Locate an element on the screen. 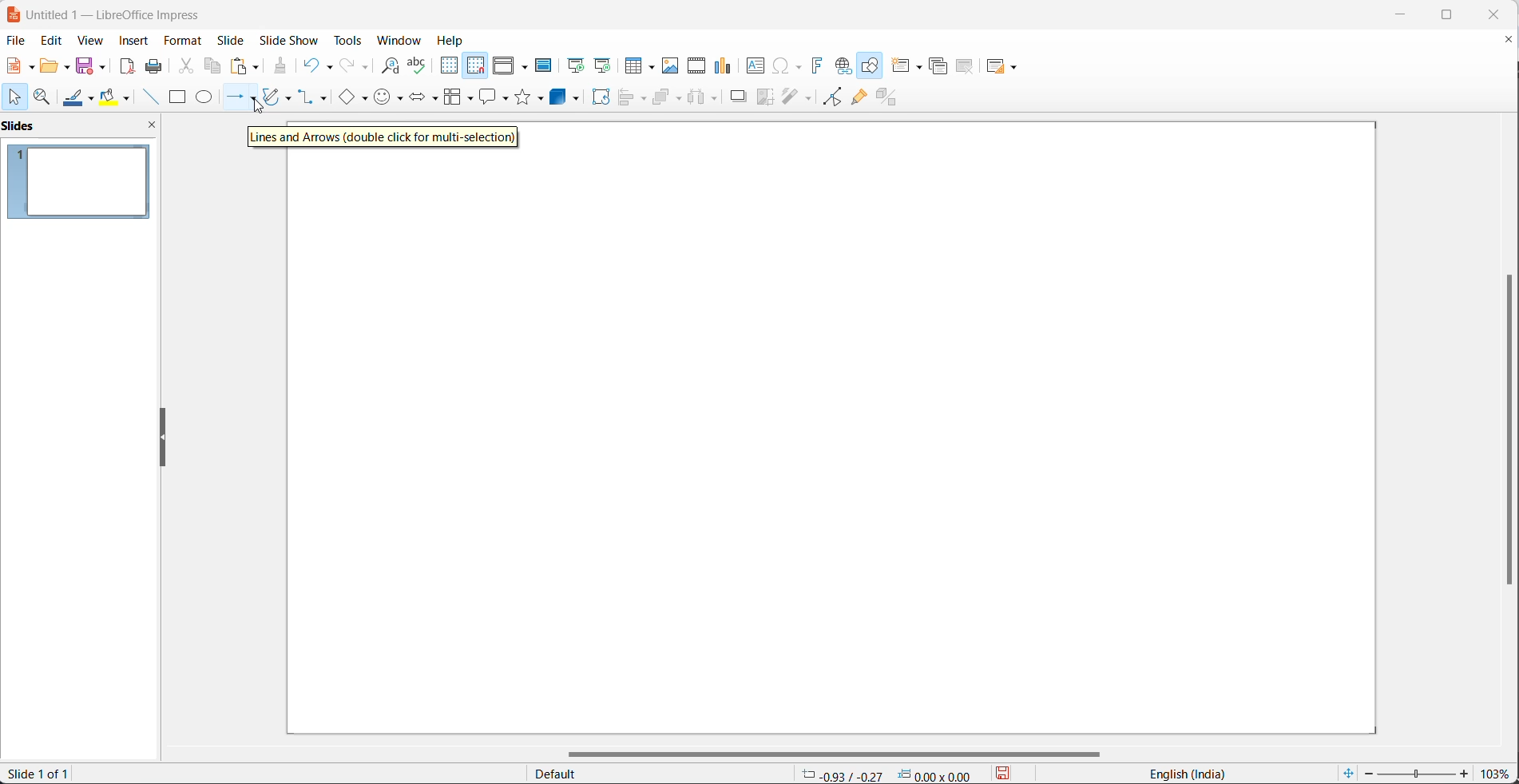  edit is located at coordinates (51, 38).